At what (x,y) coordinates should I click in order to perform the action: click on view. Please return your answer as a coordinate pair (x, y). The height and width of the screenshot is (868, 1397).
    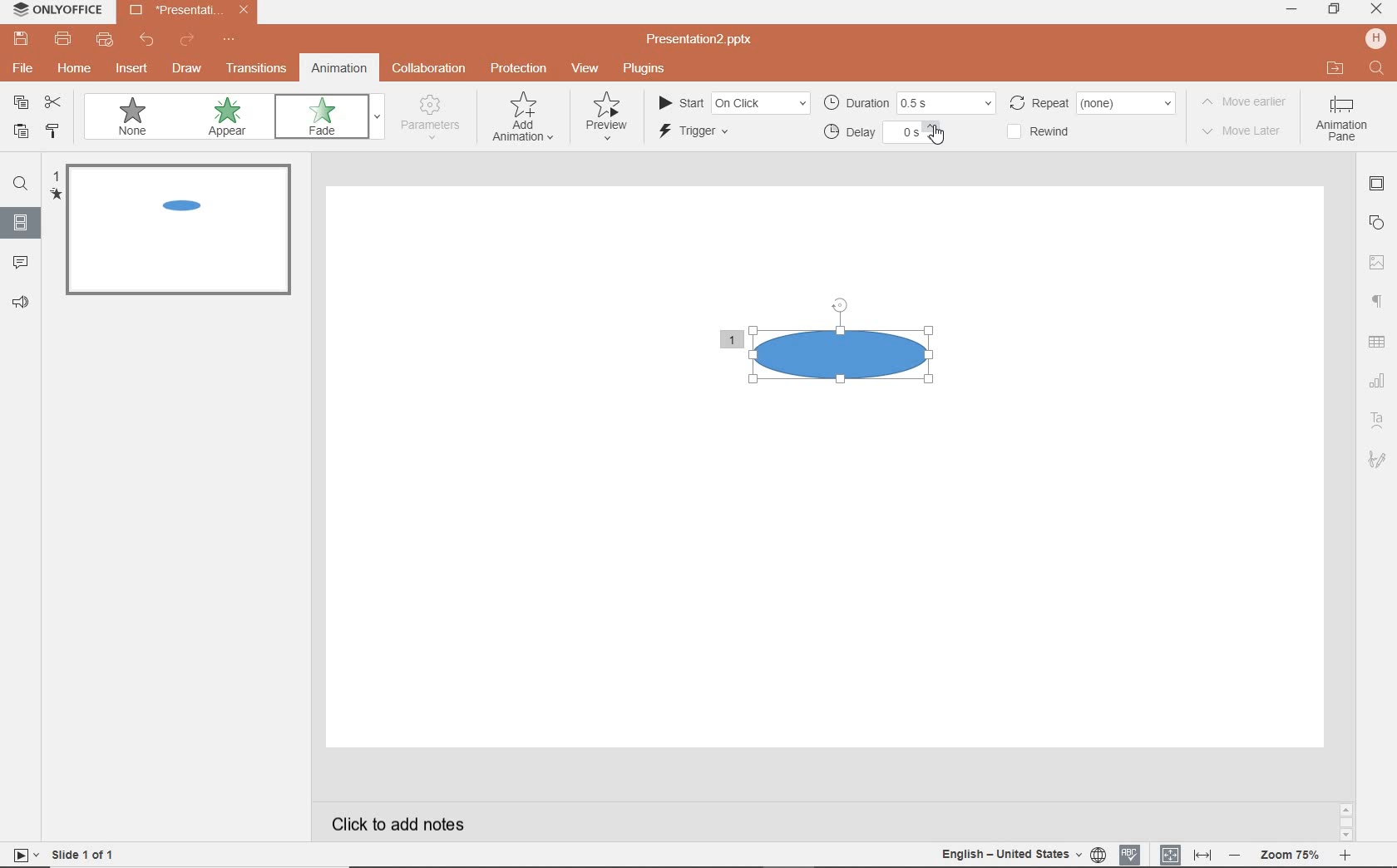
    Looking at the image, I should click on (585, 68).